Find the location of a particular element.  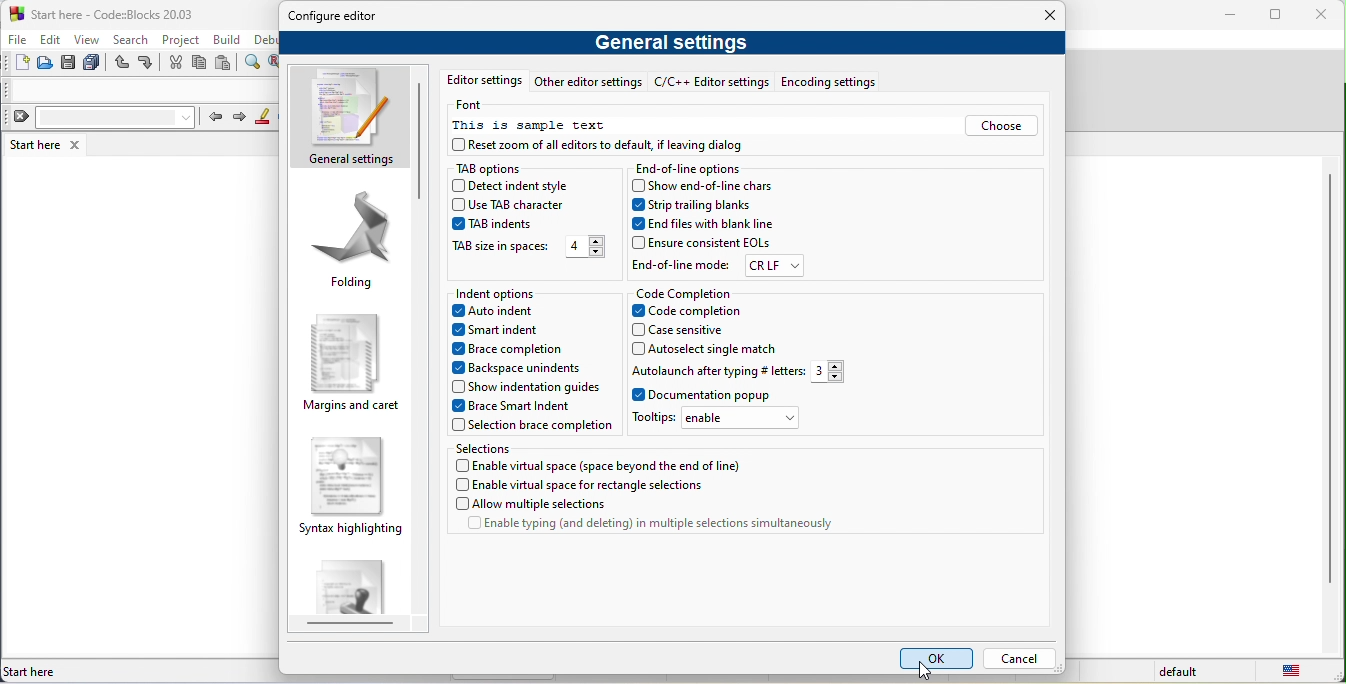

backspace unindents is located at coordinates (517, 369).